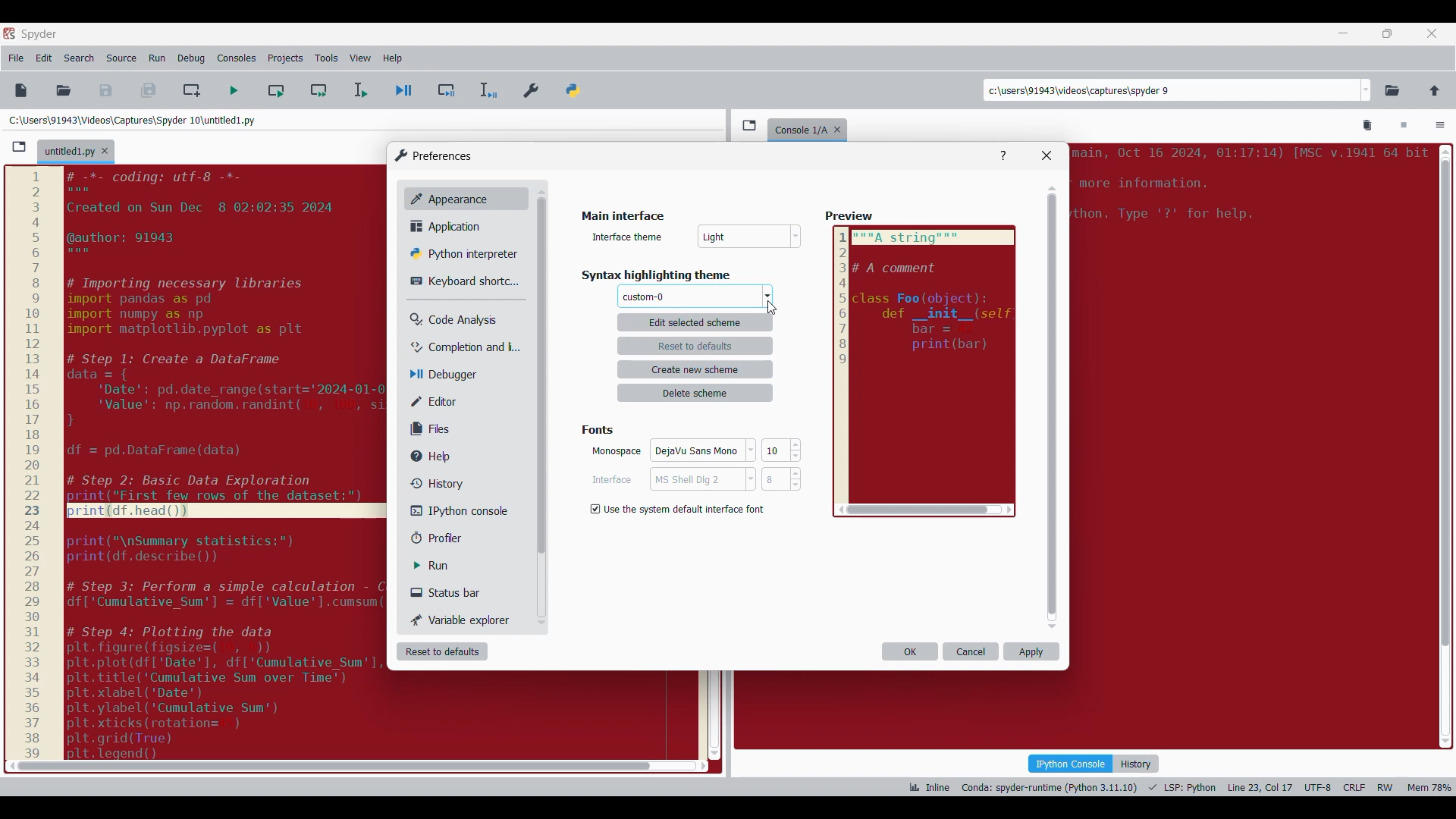 The height and width of the screenshot is (819, 1456). What do you see at coordinates (453, 320) in the screenshot?
I see `Code analysis` at bounding box center [453, 320].